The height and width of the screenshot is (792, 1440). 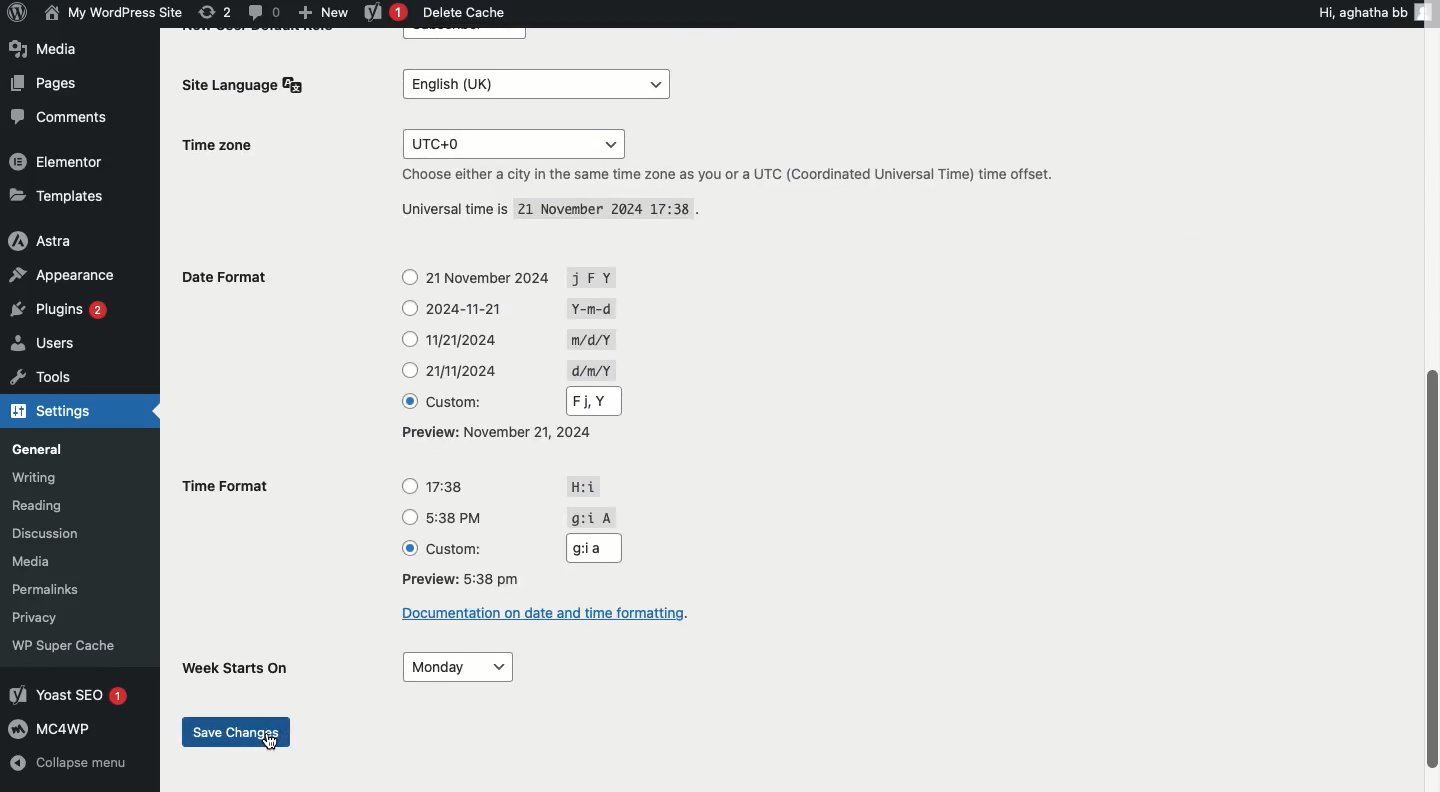 What do you see at coordinates (64, 450) in the screenshot?
I see `General` at bounding box center [64, 450].